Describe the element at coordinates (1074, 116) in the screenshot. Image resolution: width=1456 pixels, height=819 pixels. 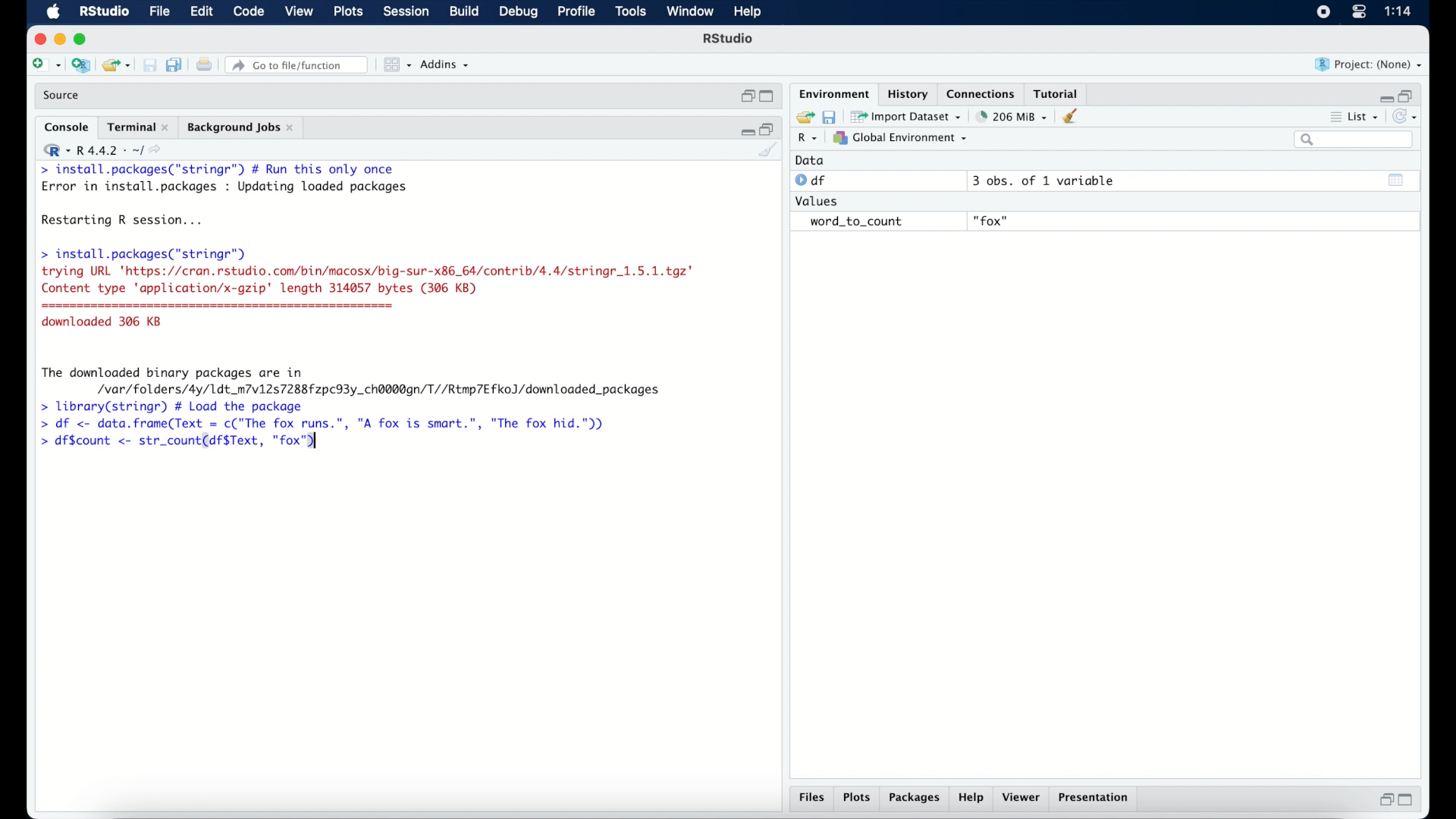
I see `clear console` at that location.